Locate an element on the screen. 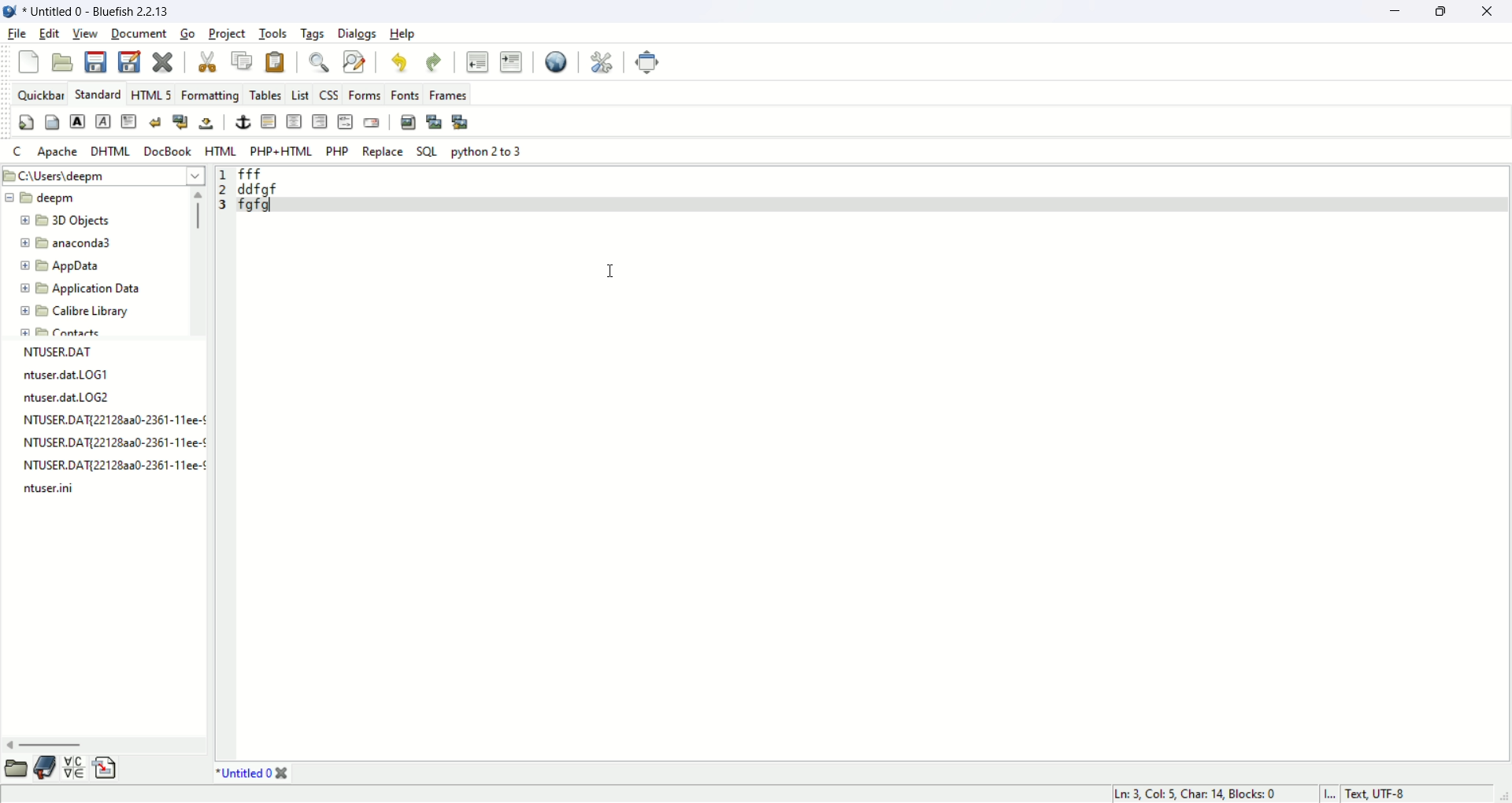 The image size is (1512, 803). calibre Library is located at coordinates (76, 313).